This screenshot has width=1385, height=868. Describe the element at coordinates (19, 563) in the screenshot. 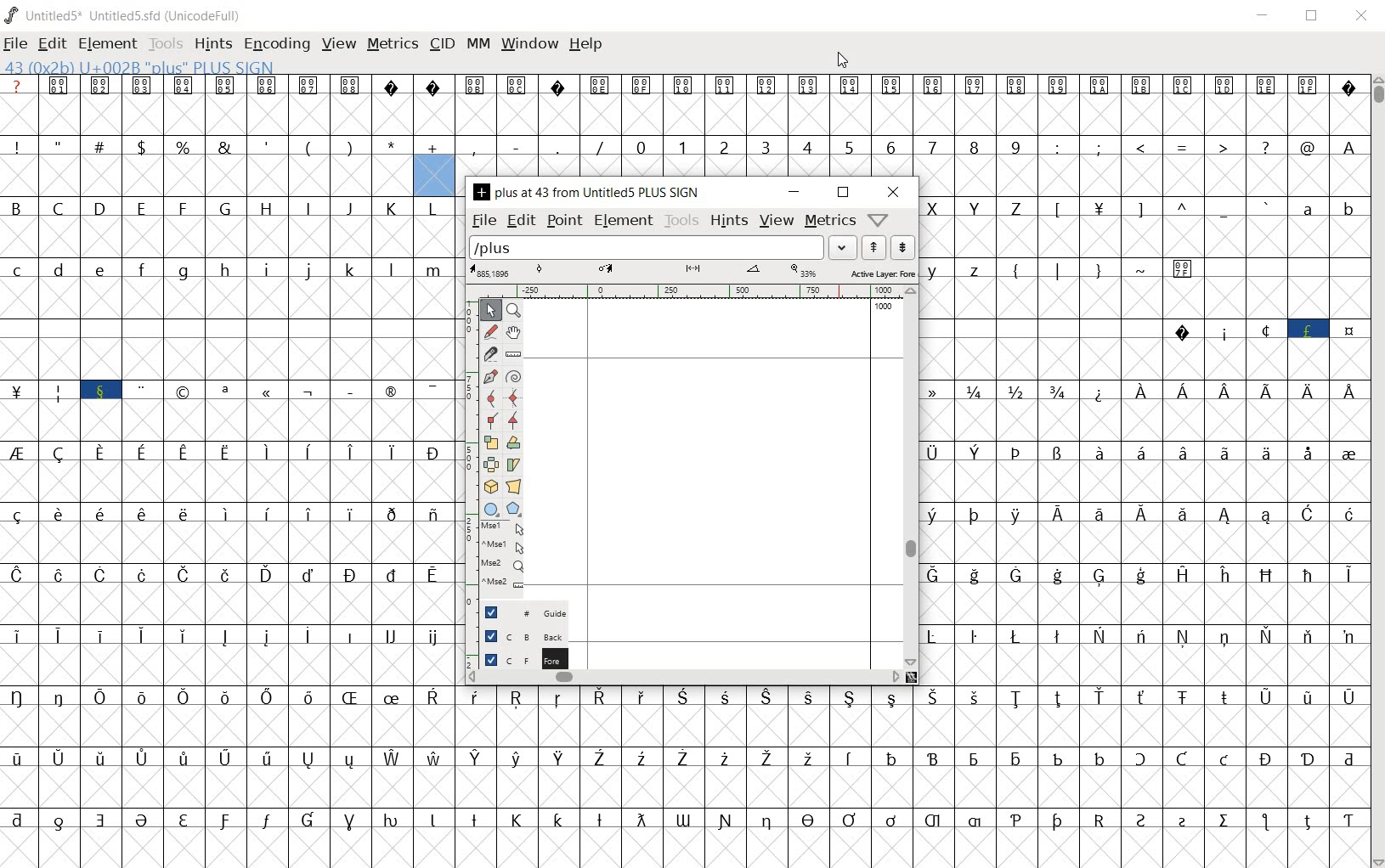

I see `special characters` at that location.